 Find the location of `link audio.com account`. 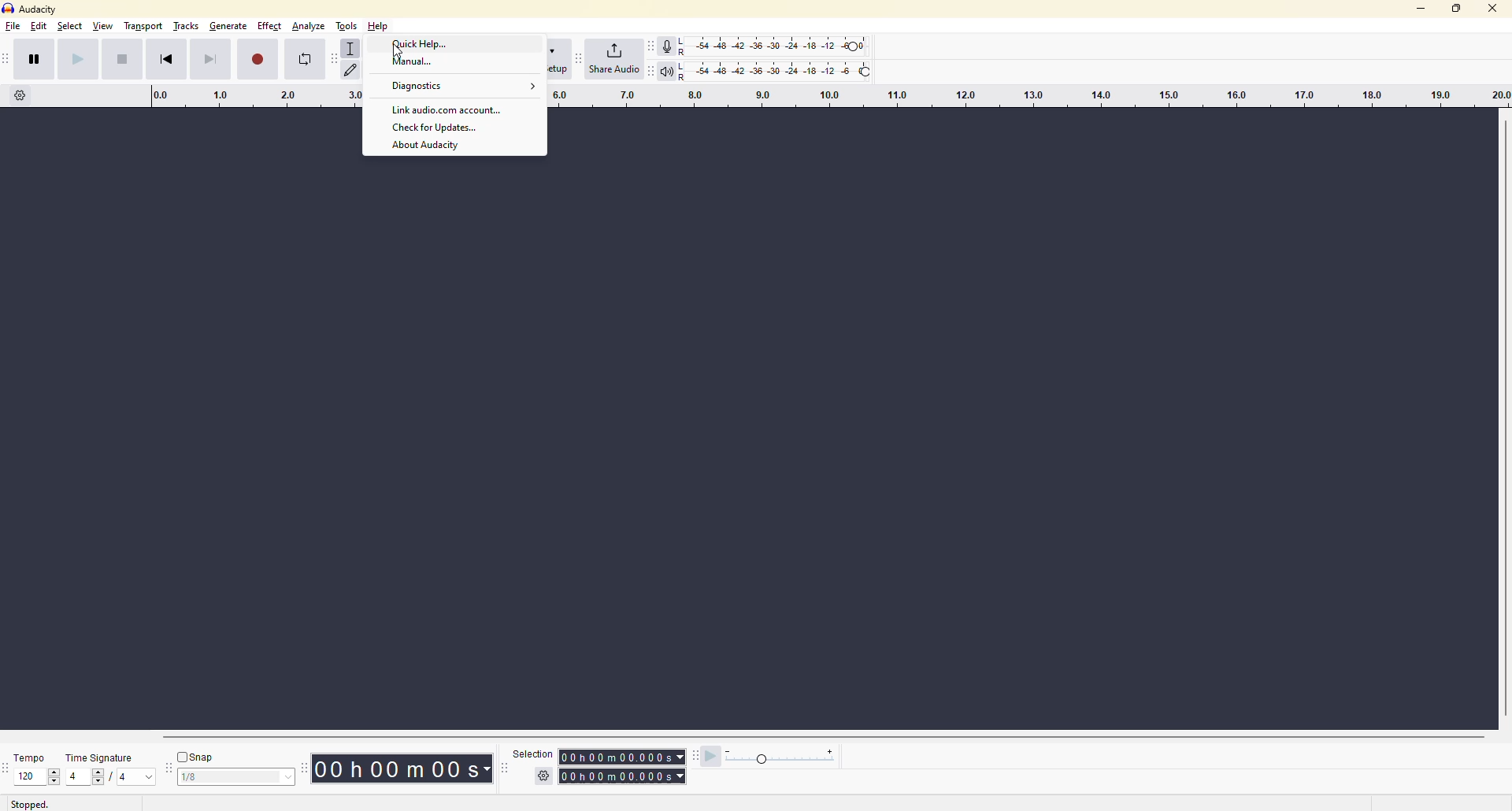

link audio.com account is located at coordinates (449, 109).